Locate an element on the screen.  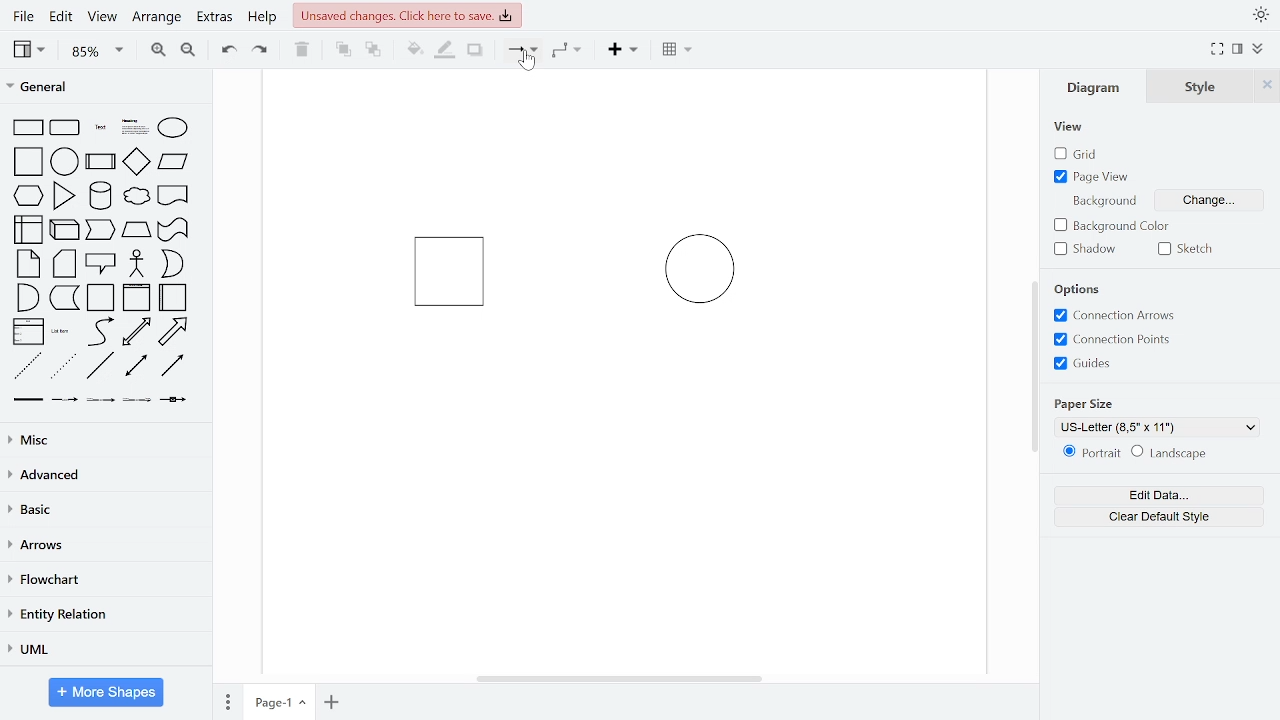
bidirectional arrow is located at coordinates (136, 332).